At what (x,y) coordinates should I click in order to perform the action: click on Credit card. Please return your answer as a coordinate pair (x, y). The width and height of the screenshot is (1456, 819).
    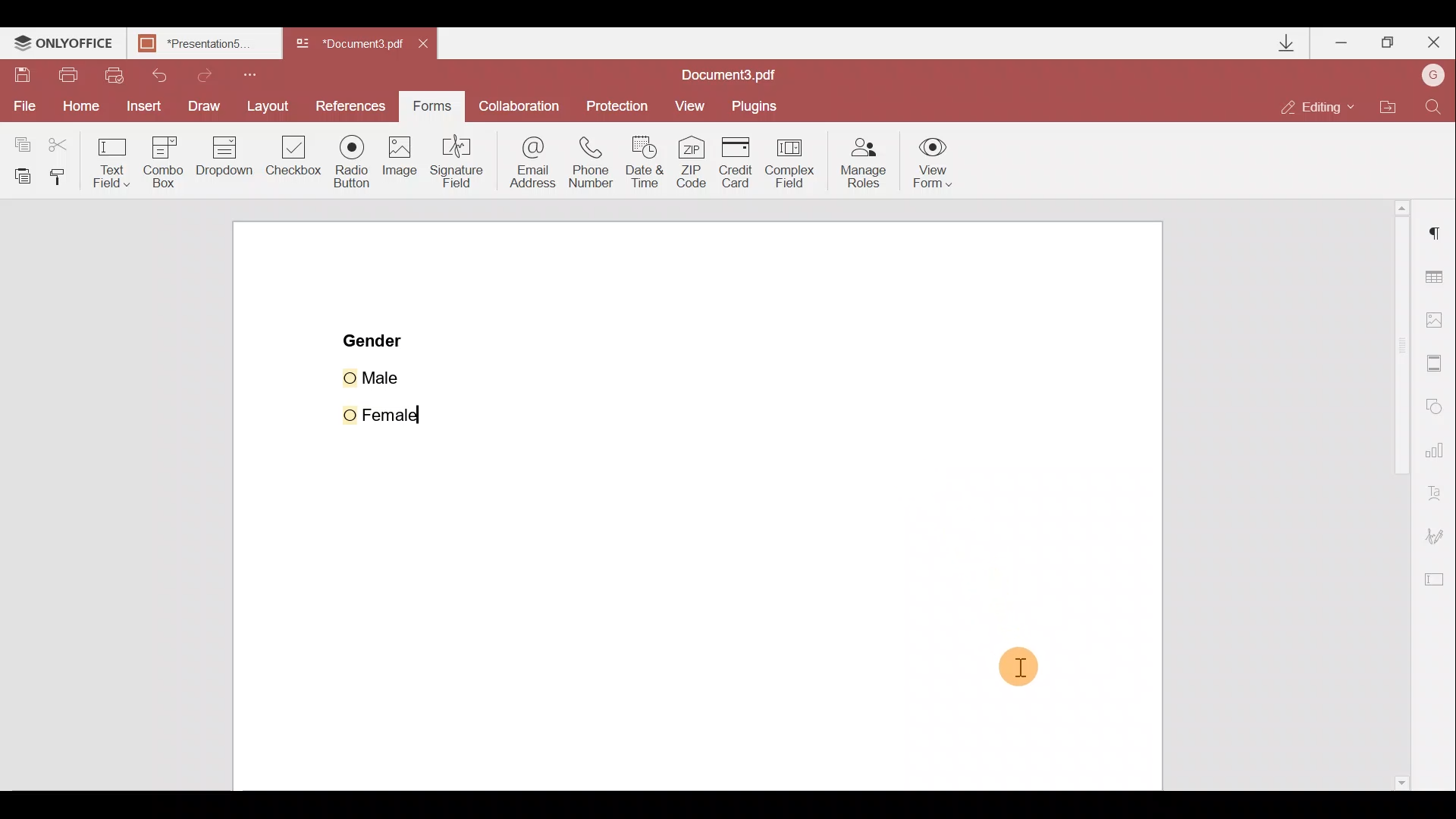
    Looking at the image, I should click on (736, 158).